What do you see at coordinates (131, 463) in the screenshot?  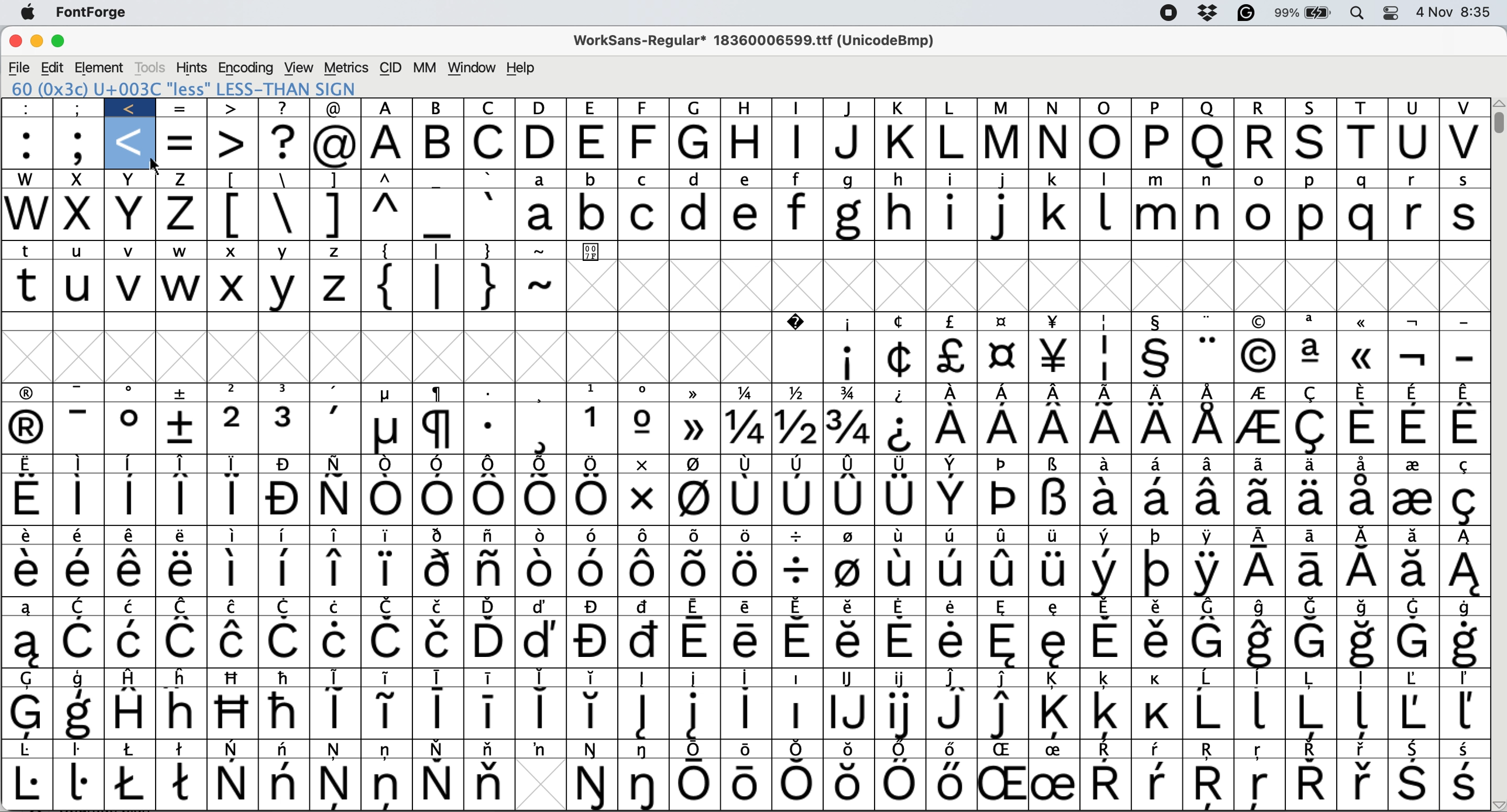 I see `Symbol` at bounding box center [131, 463].